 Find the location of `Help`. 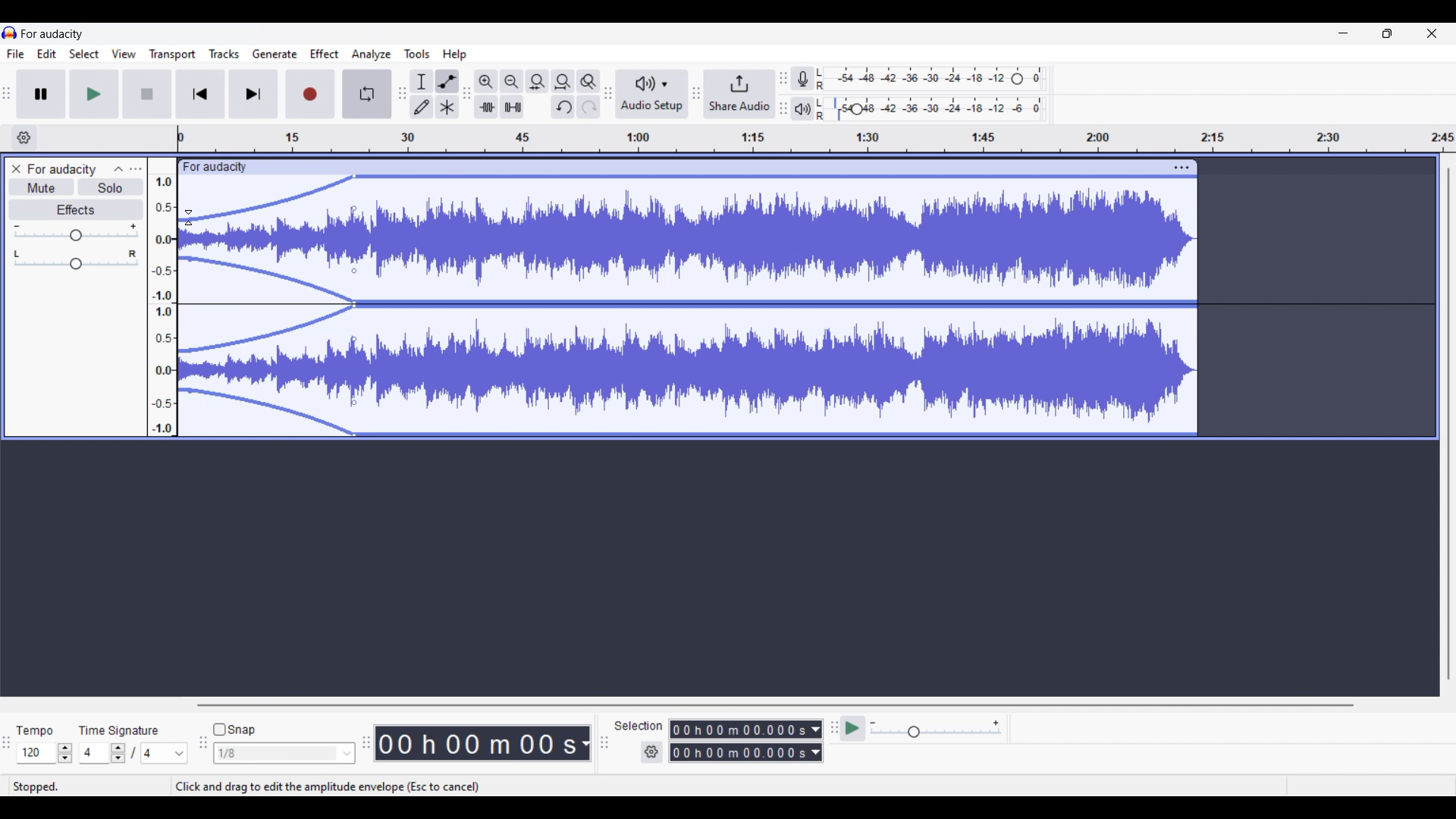

Help is located at coordinates (454, 55).